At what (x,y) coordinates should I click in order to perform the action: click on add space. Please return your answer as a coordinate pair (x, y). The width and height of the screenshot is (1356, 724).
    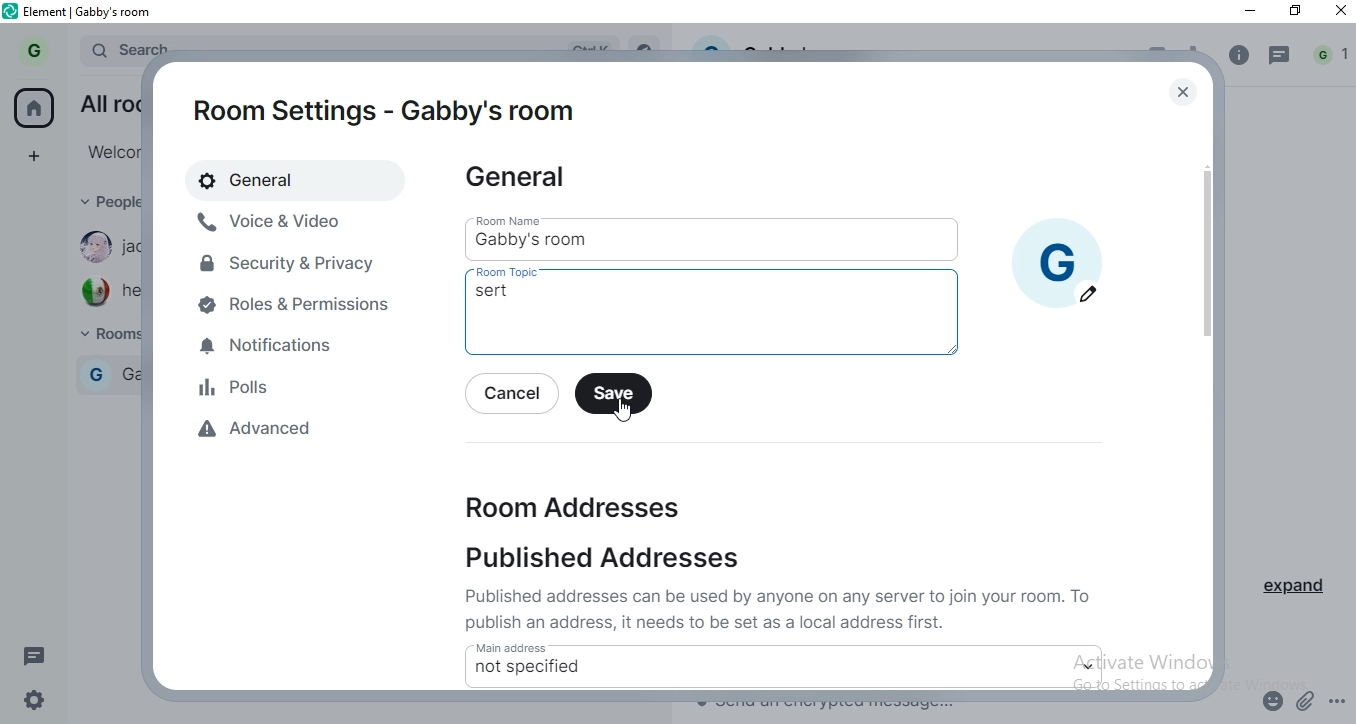
    Looking at the image, I should click on (40, 156).